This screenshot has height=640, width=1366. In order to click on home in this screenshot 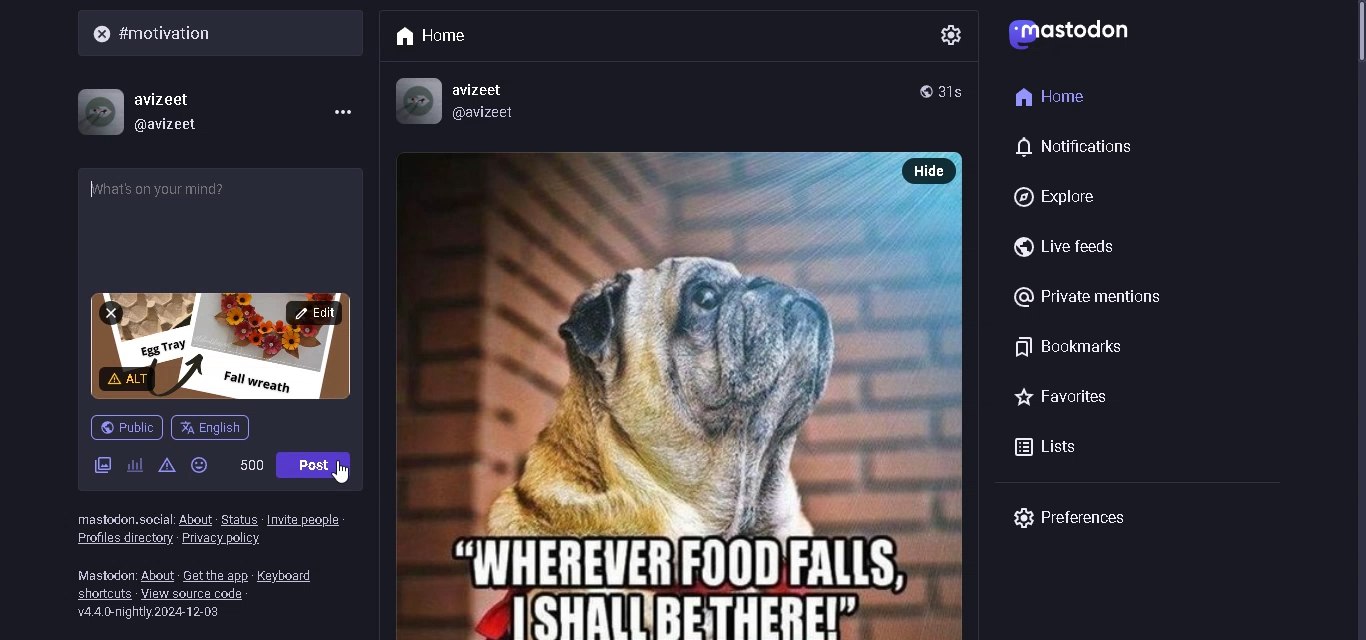, I will do `click(1053, 95)`.